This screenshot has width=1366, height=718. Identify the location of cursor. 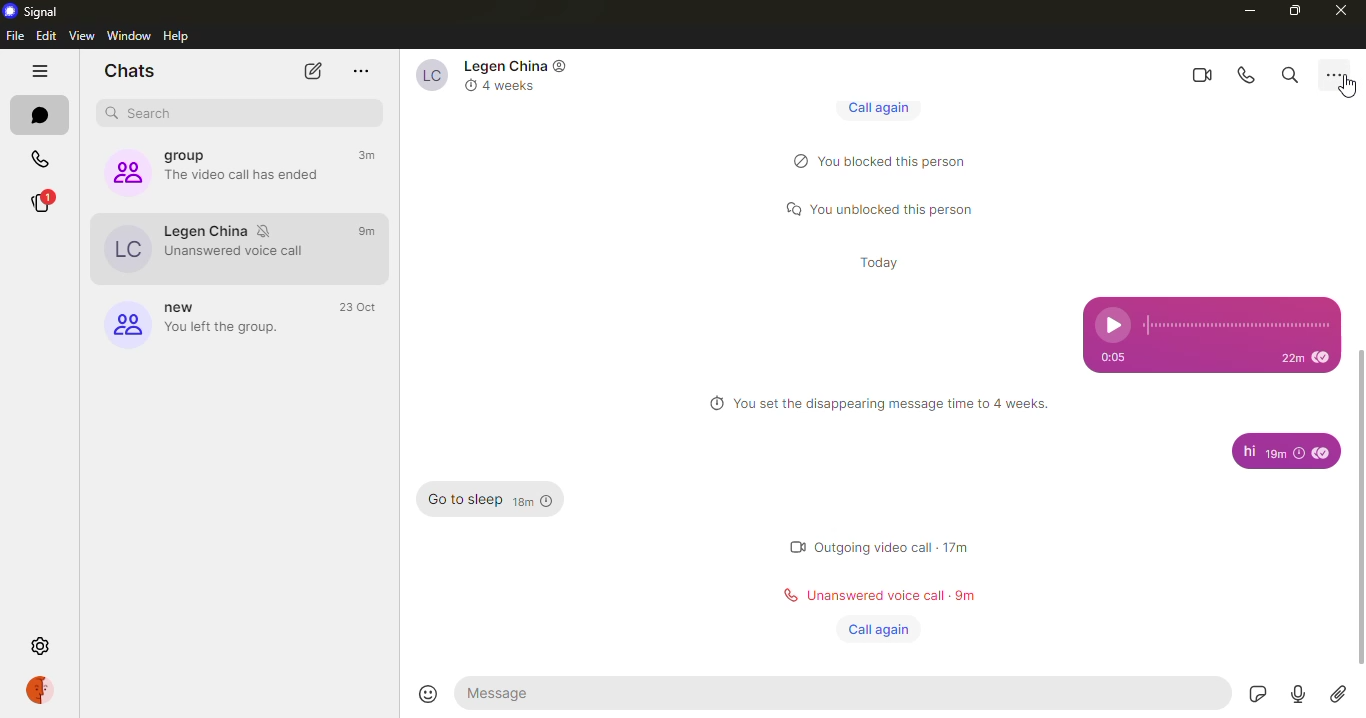
(1349, 88).